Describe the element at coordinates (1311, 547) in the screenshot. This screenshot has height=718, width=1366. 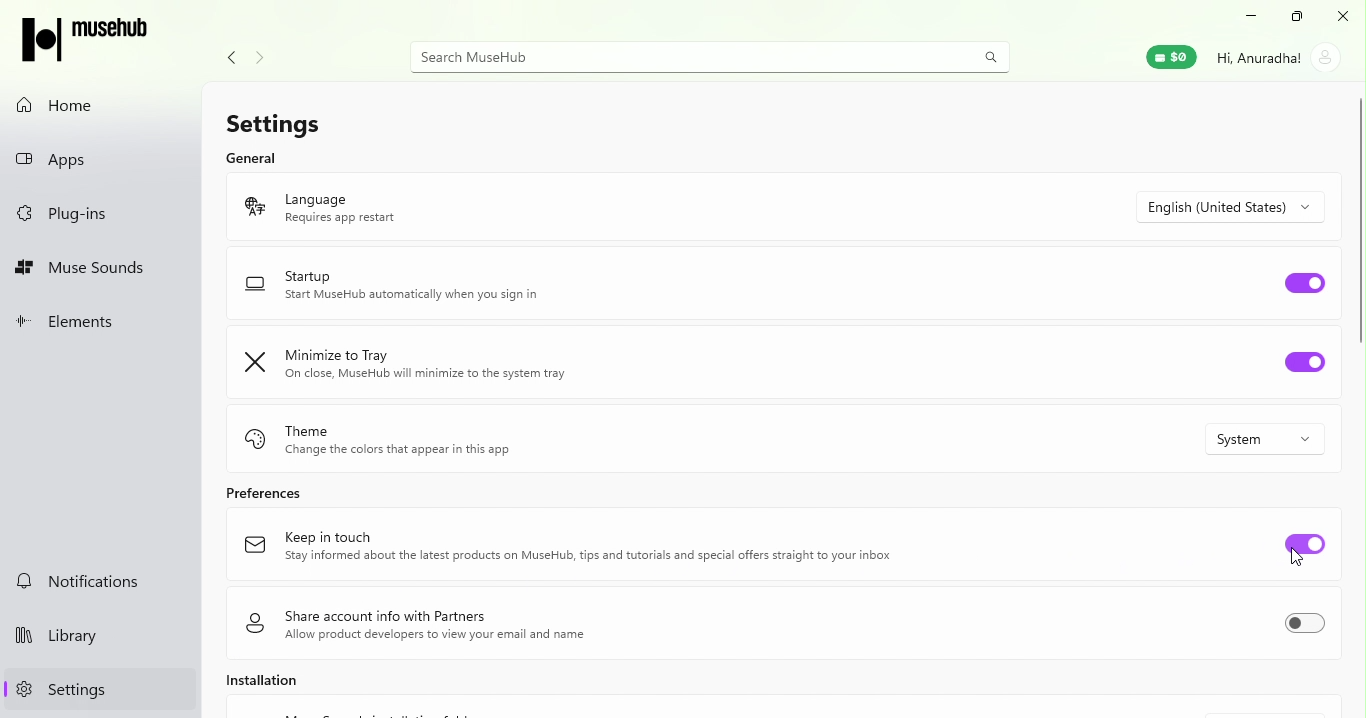
I see `Toggle` at that location.